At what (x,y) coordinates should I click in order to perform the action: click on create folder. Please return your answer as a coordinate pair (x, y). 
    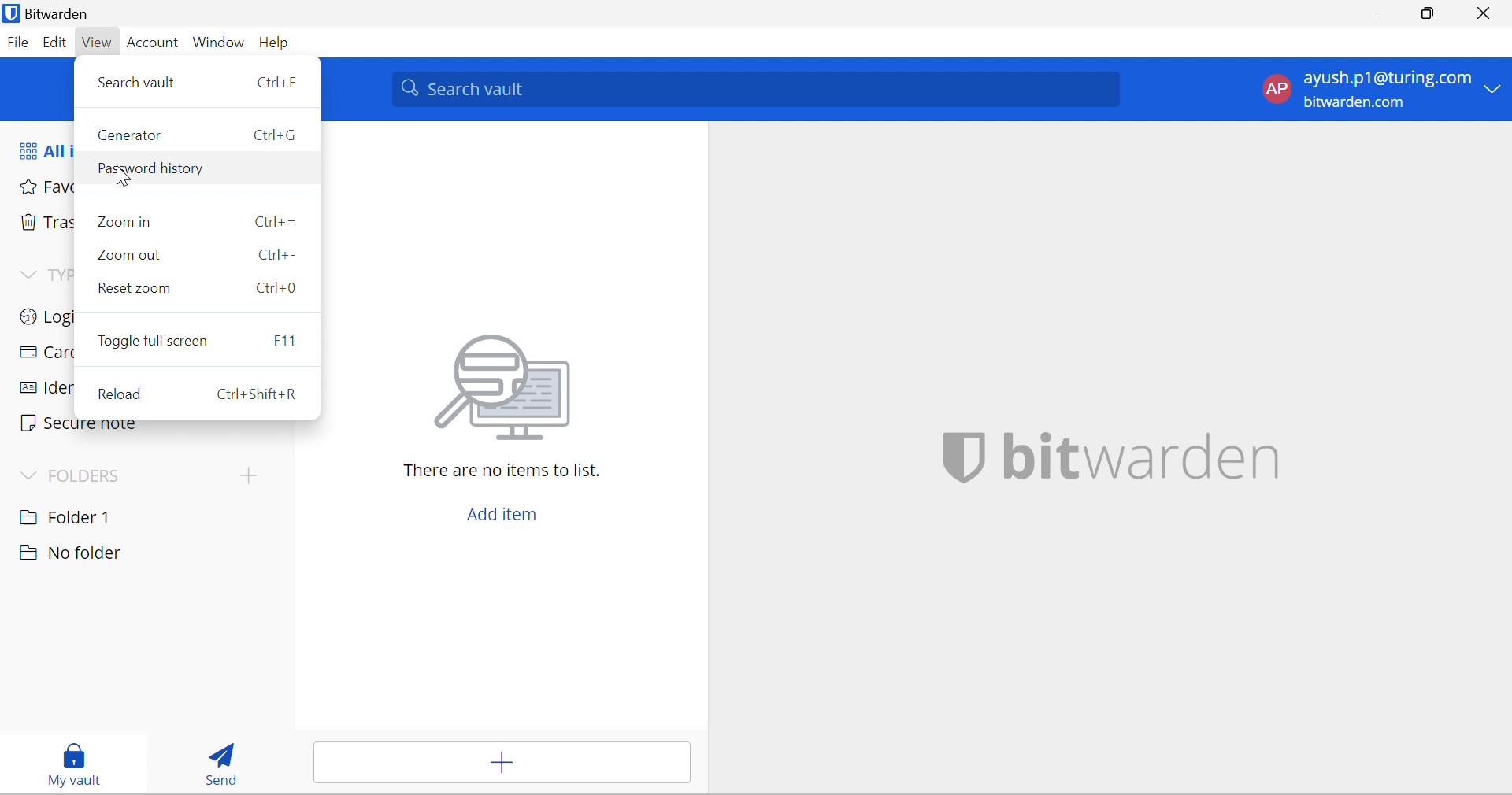
    Looking at the image, I should click on (244, 479).